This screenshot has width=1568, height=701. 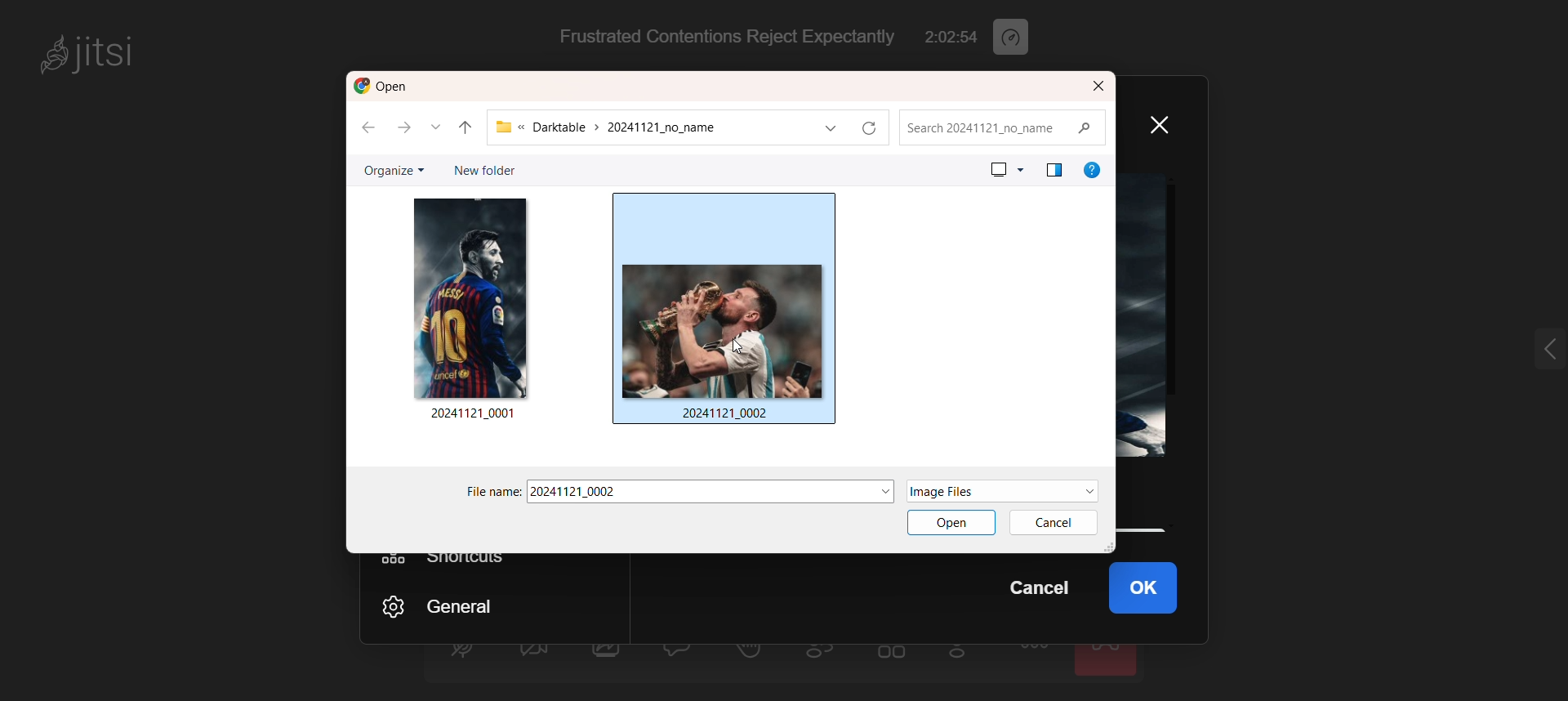 What do you see at coordinates (949, 526) in the screenshot?
I see `open` at bounding box center [949, 526].